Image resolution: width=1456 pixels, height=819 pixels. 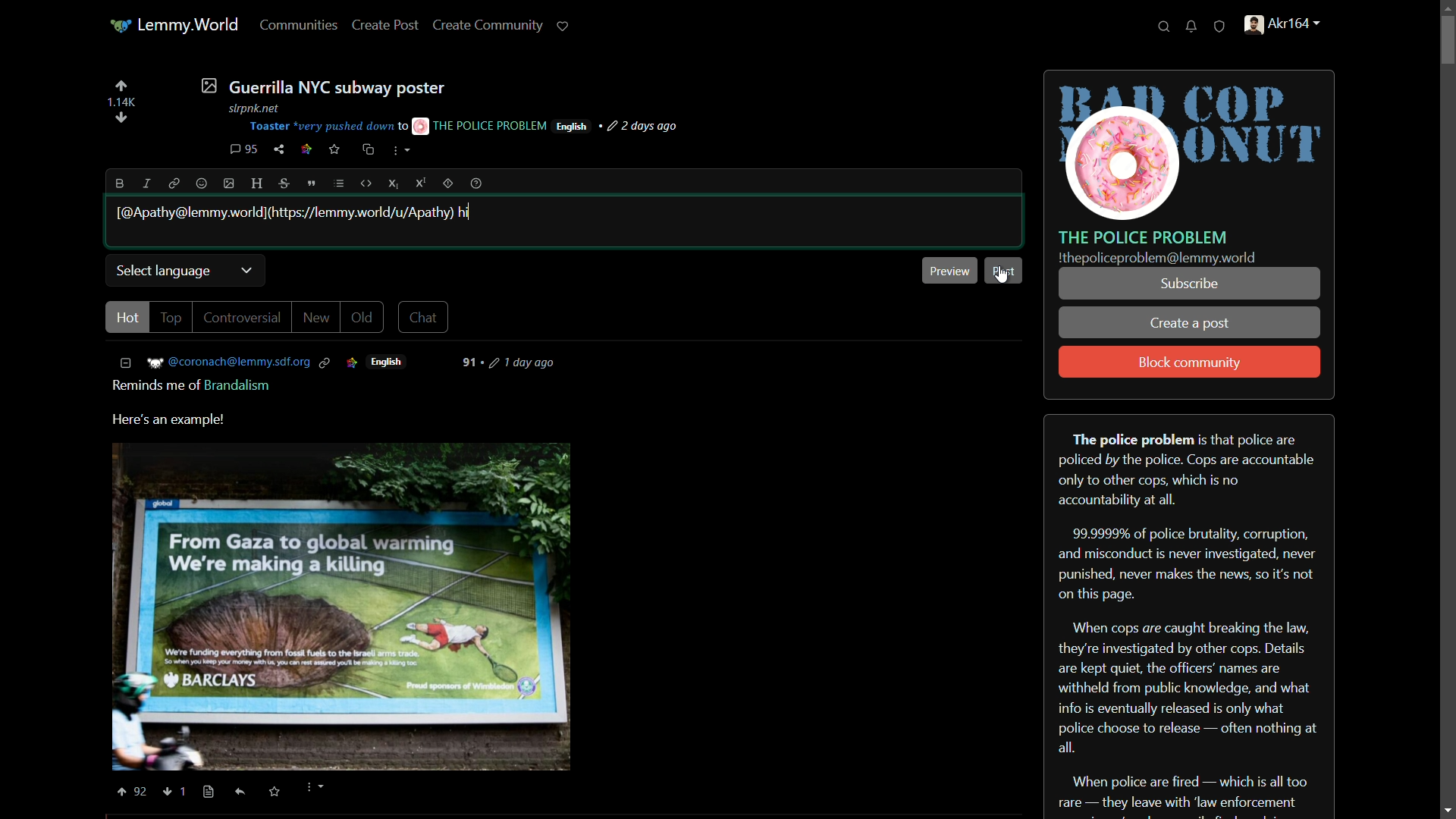 I want to click on block community, so click(x=1190, y=363).